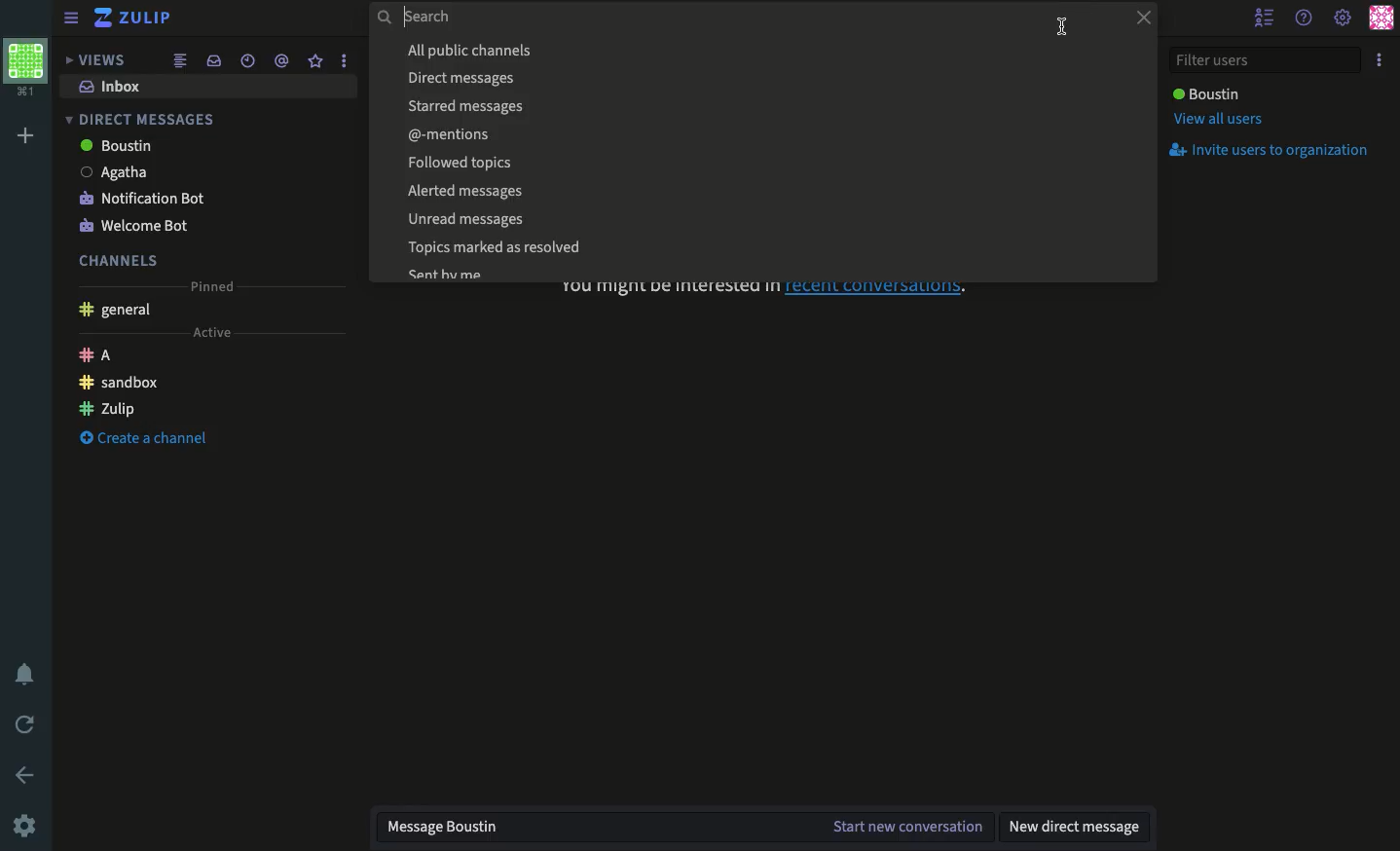 This screenshot has width=1400, height=851. I want to click on Notification bot, so click(147, 200).